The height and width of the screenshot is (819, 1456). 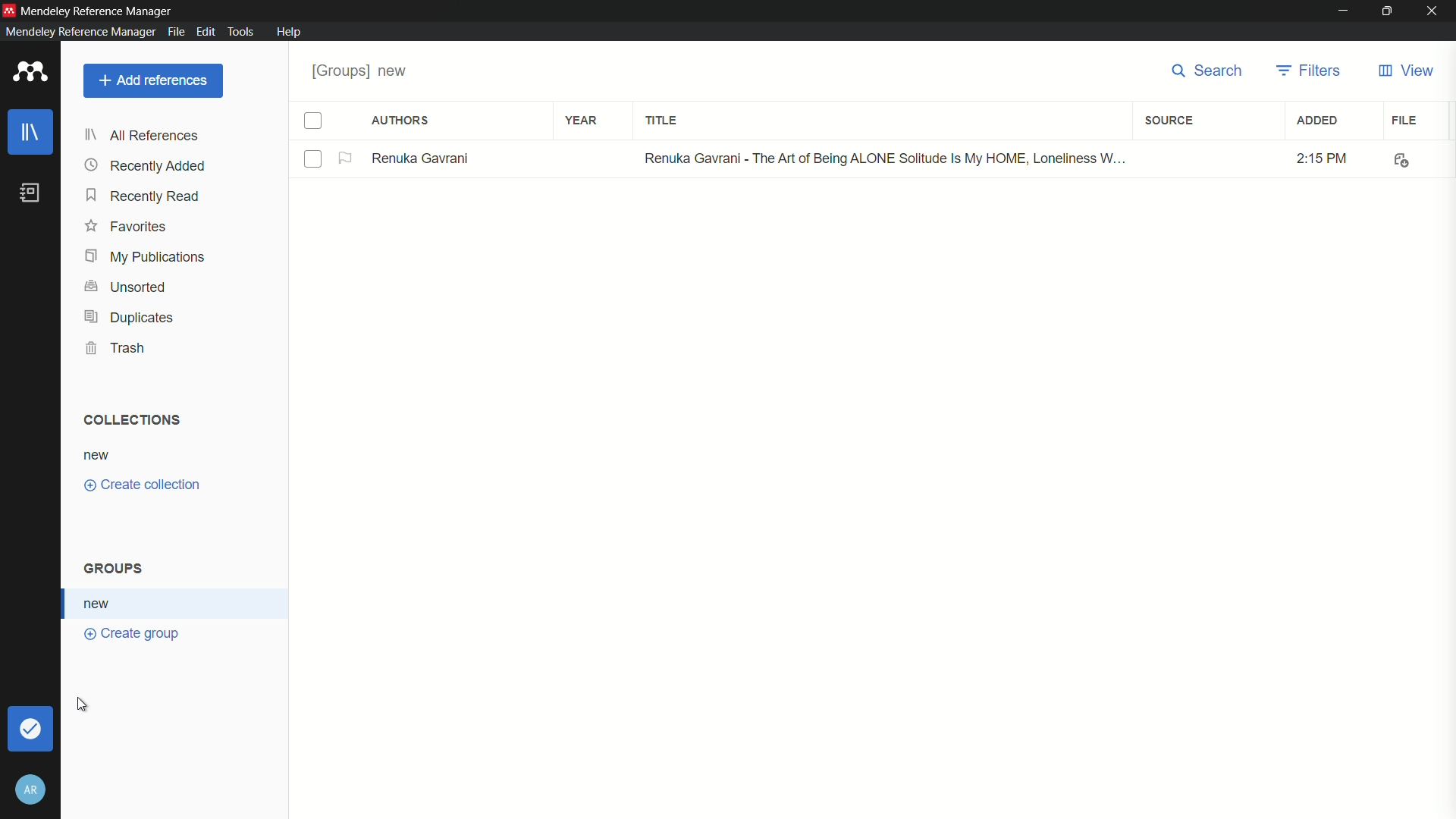 I want to click on source, so click(x=1169, y=119).